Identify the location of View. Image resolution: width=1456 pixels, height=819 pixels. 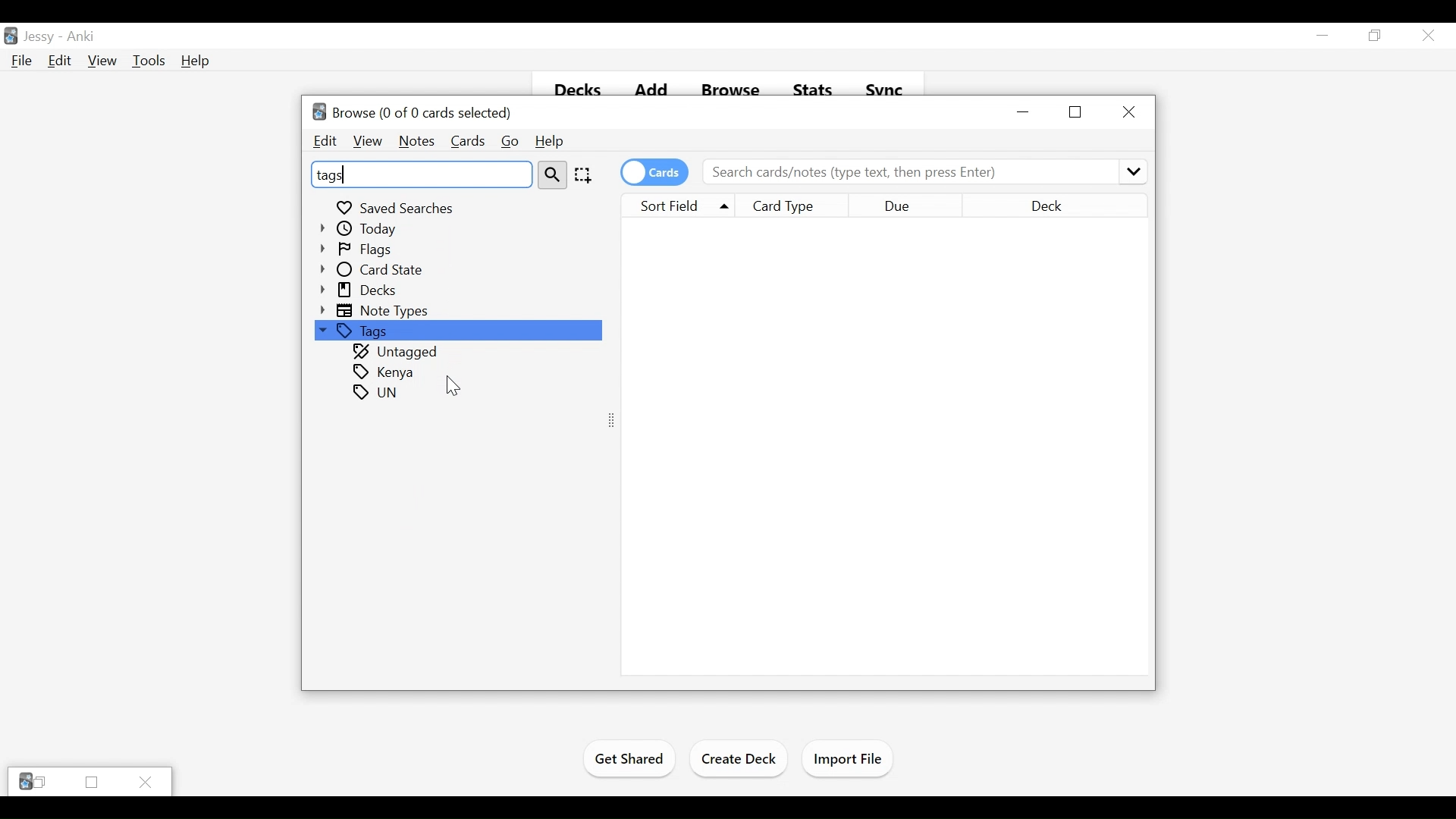
(366, 141).